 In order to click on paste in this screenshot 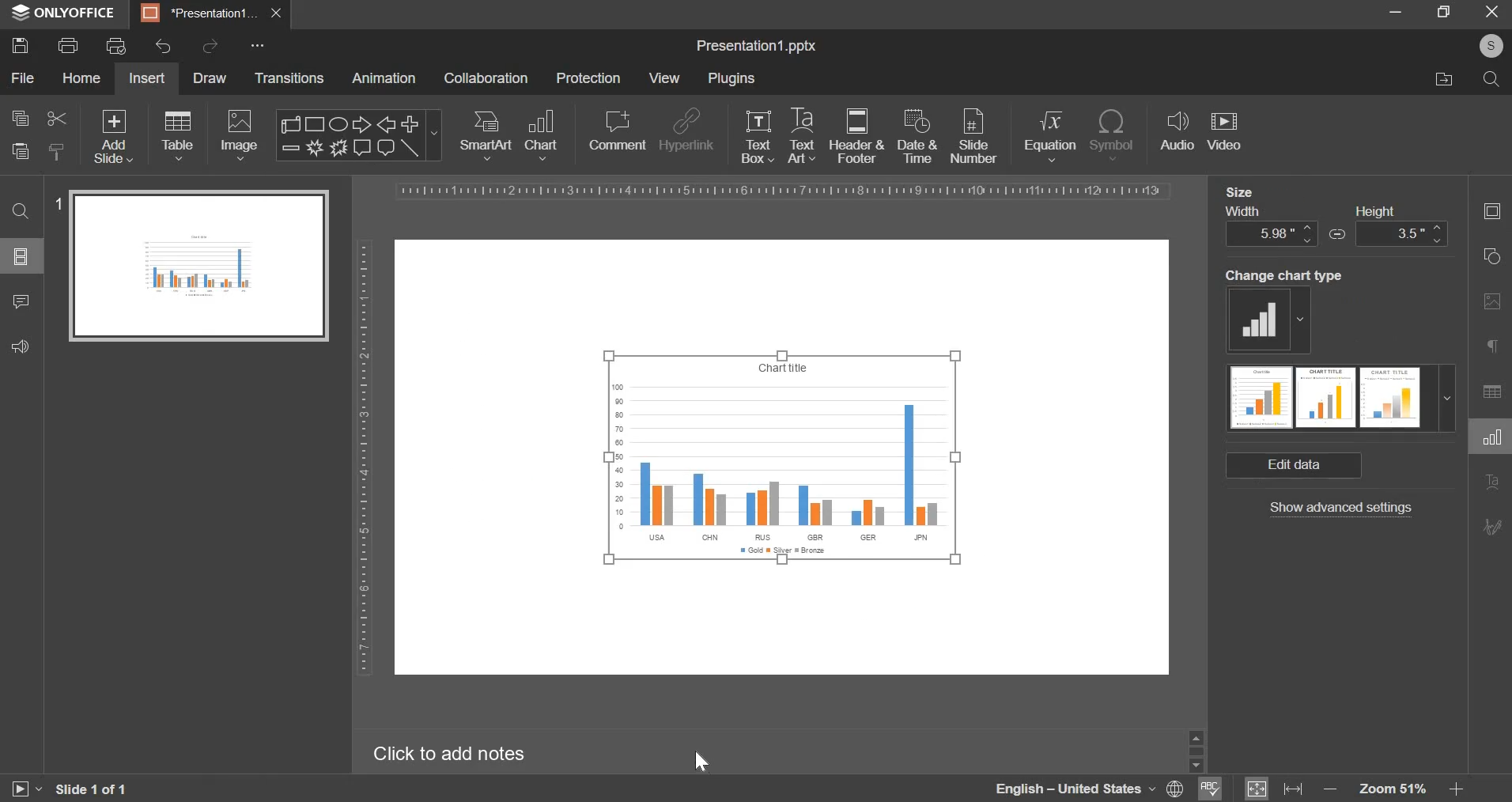, I will do `click(20, 152)`.